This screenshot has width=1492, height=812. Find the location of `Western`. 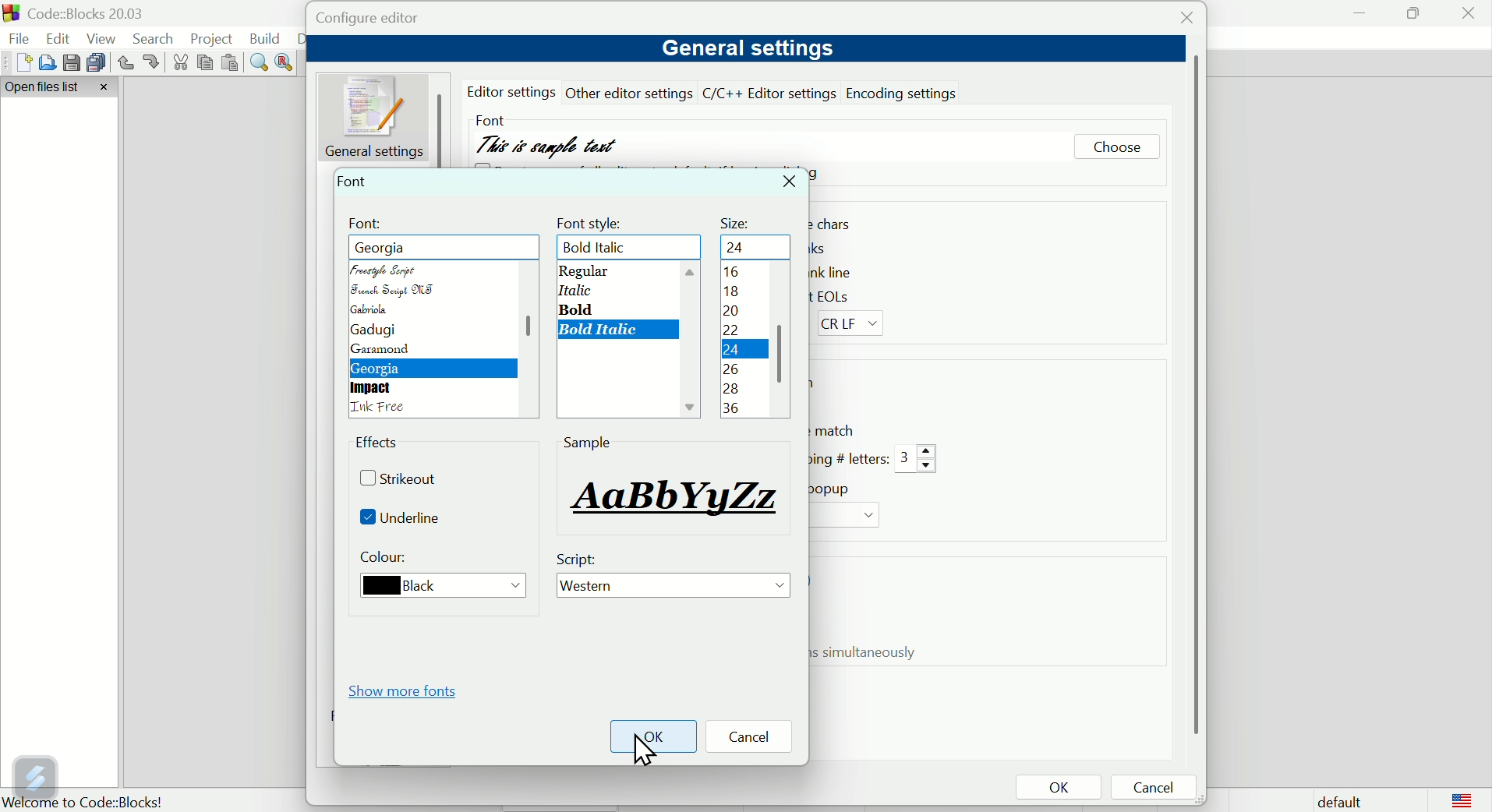

Western is located at coordinates (677, 587).